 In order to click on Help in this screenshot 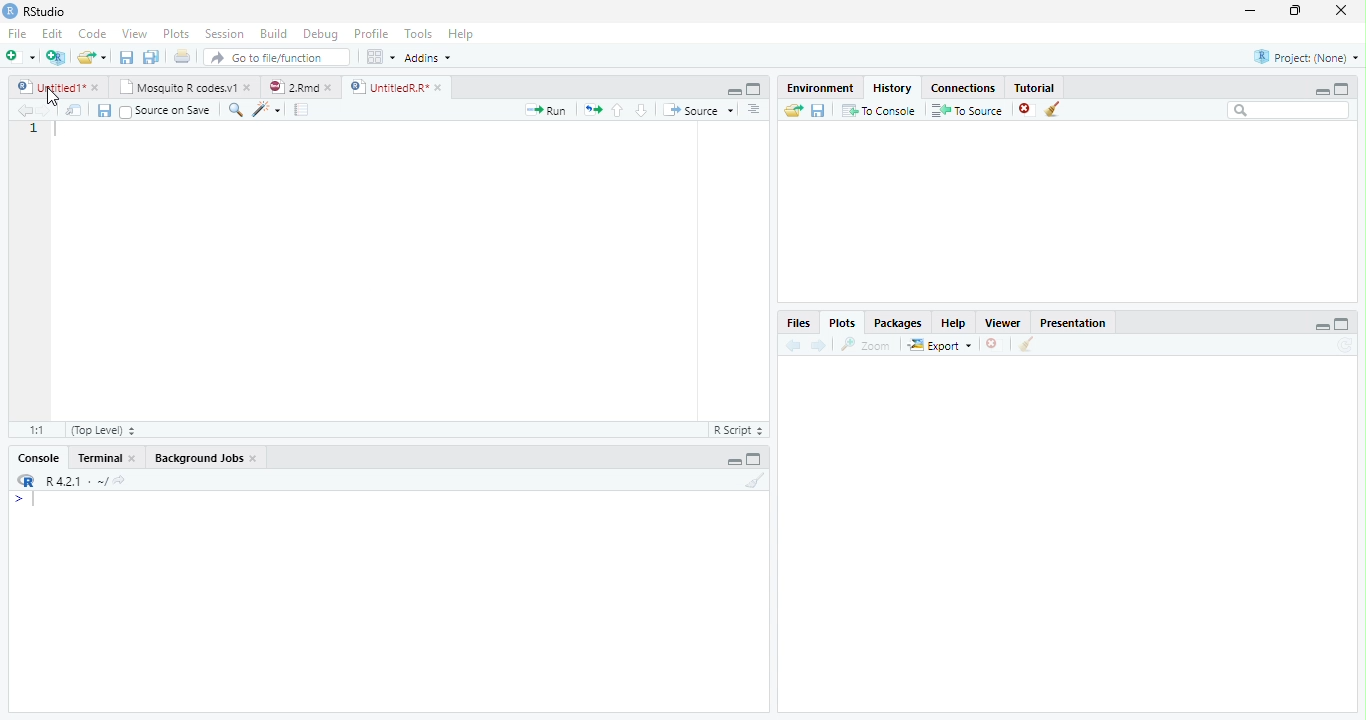, I will do `click(460, 35)`.